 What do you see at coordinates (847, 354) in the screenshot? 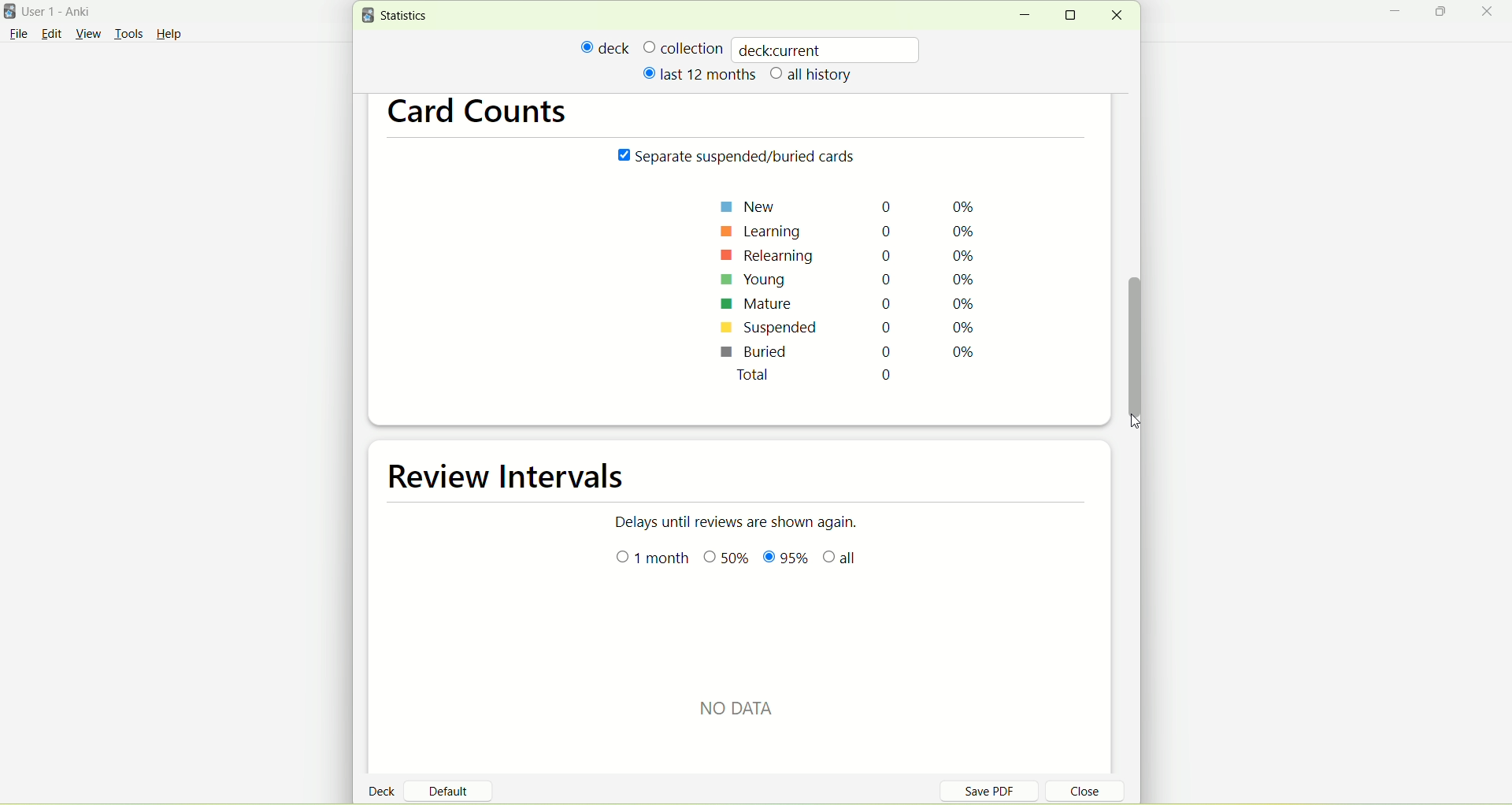
I see `buried 0 0%` at bounding box center [847, 354].